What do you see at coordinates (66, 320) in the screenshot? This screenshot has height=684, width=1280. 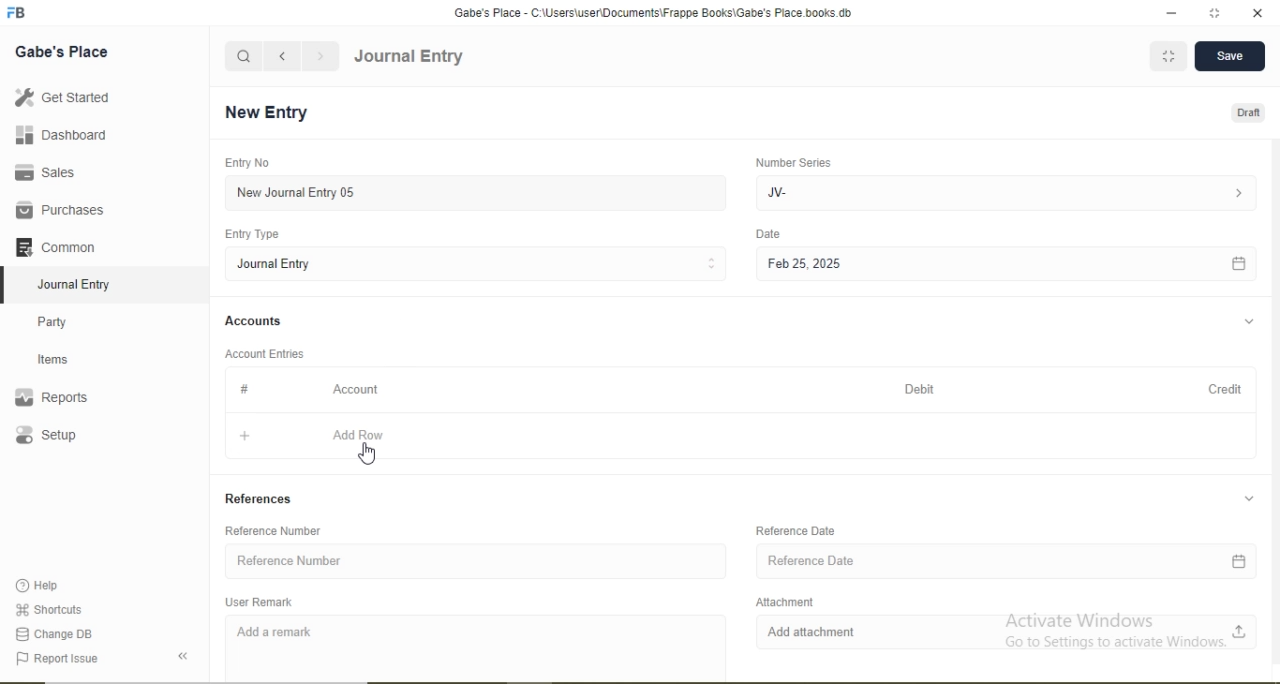 I see `Party` at bounding box center [66, 320].